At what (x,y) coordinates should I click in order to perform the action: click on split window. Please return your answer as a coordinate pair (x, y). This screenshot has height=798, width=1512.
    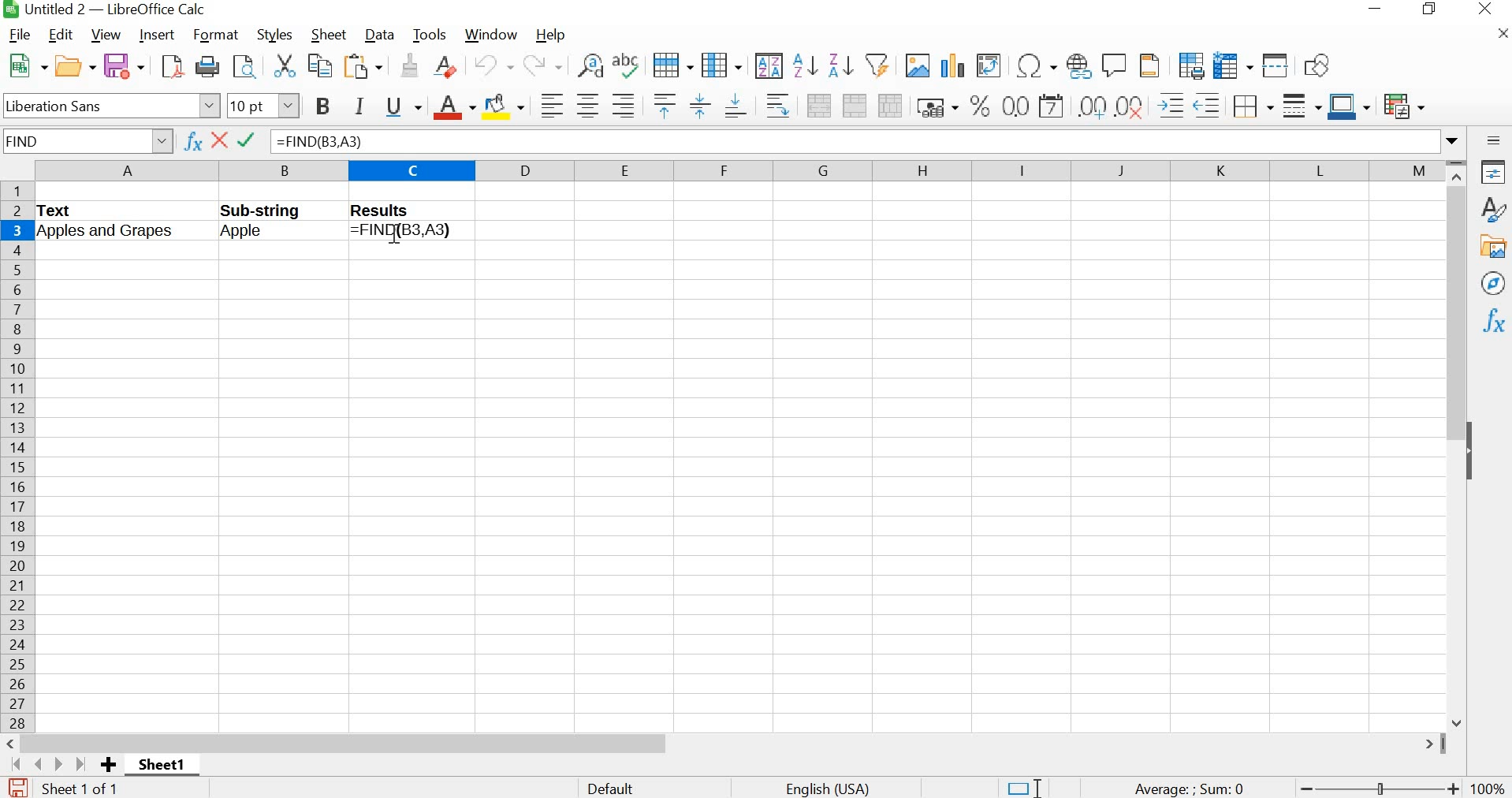
    Looking at the image, I should click on (1276, 65).